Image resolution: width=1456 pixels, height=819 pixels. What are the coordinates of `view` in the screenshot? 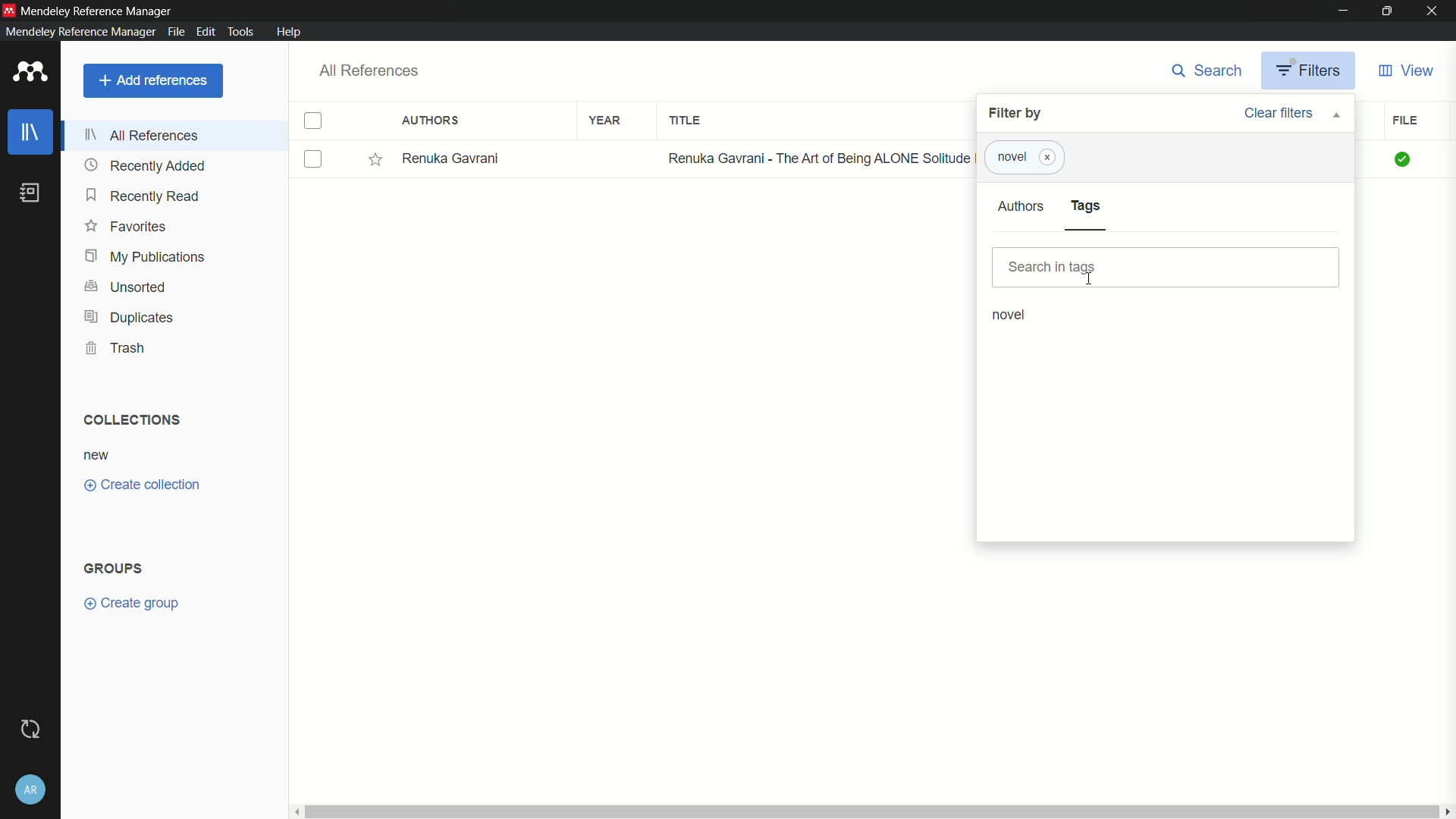 It's located at (1407, 71).